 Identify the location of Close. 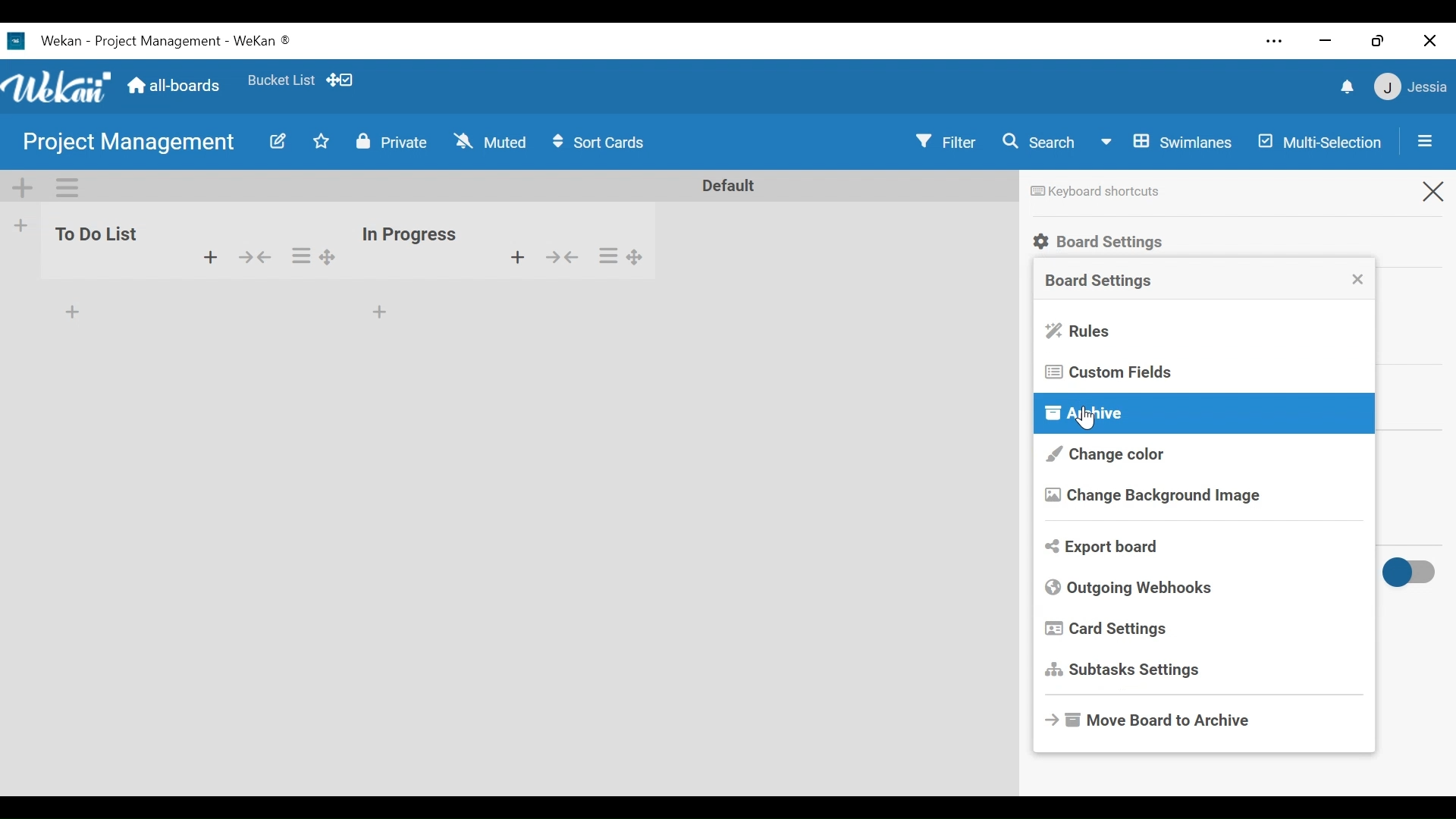
(1357, 278).